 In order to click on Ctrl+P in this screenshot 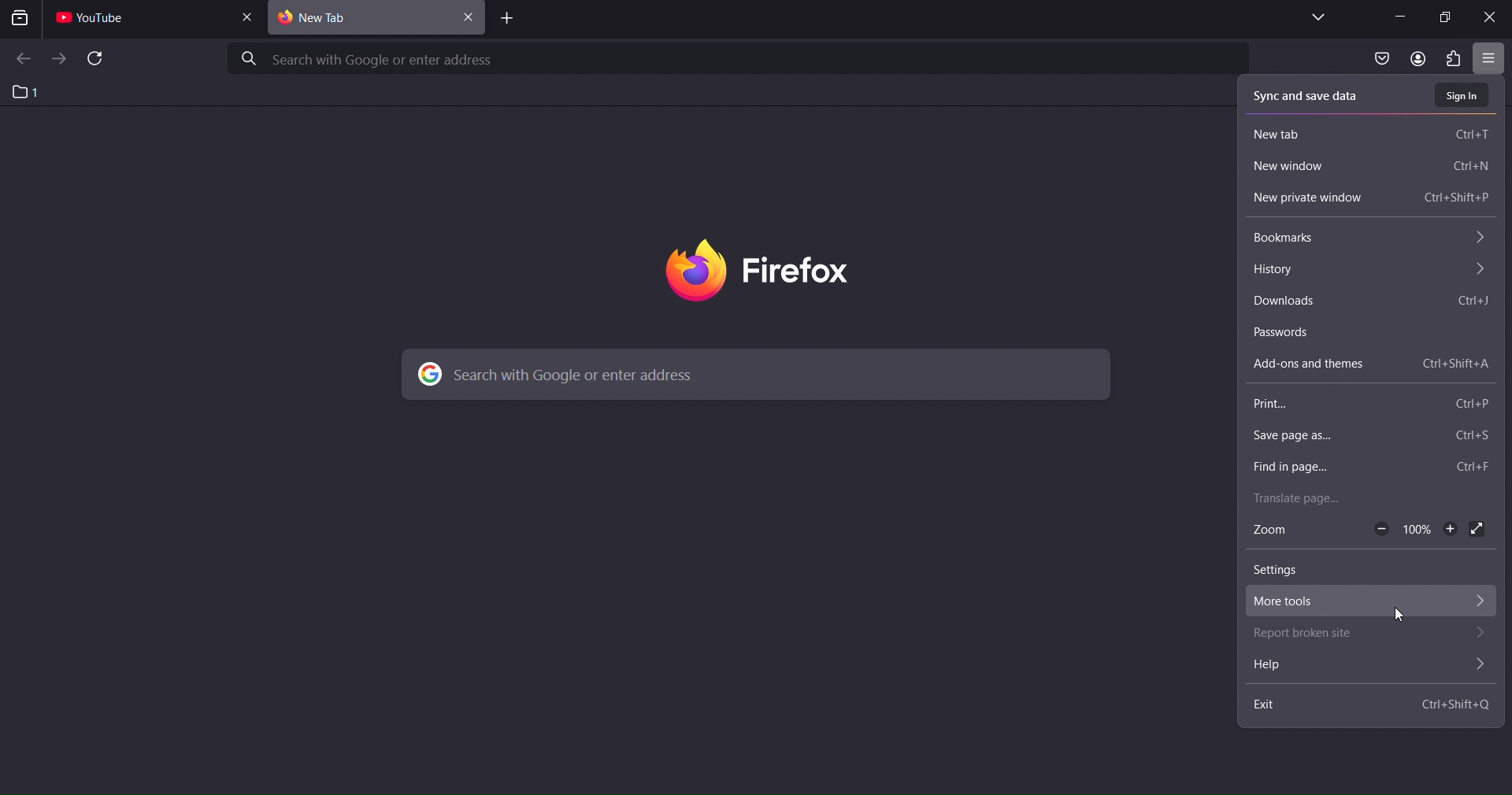, I will do `click(1473, 402)`.